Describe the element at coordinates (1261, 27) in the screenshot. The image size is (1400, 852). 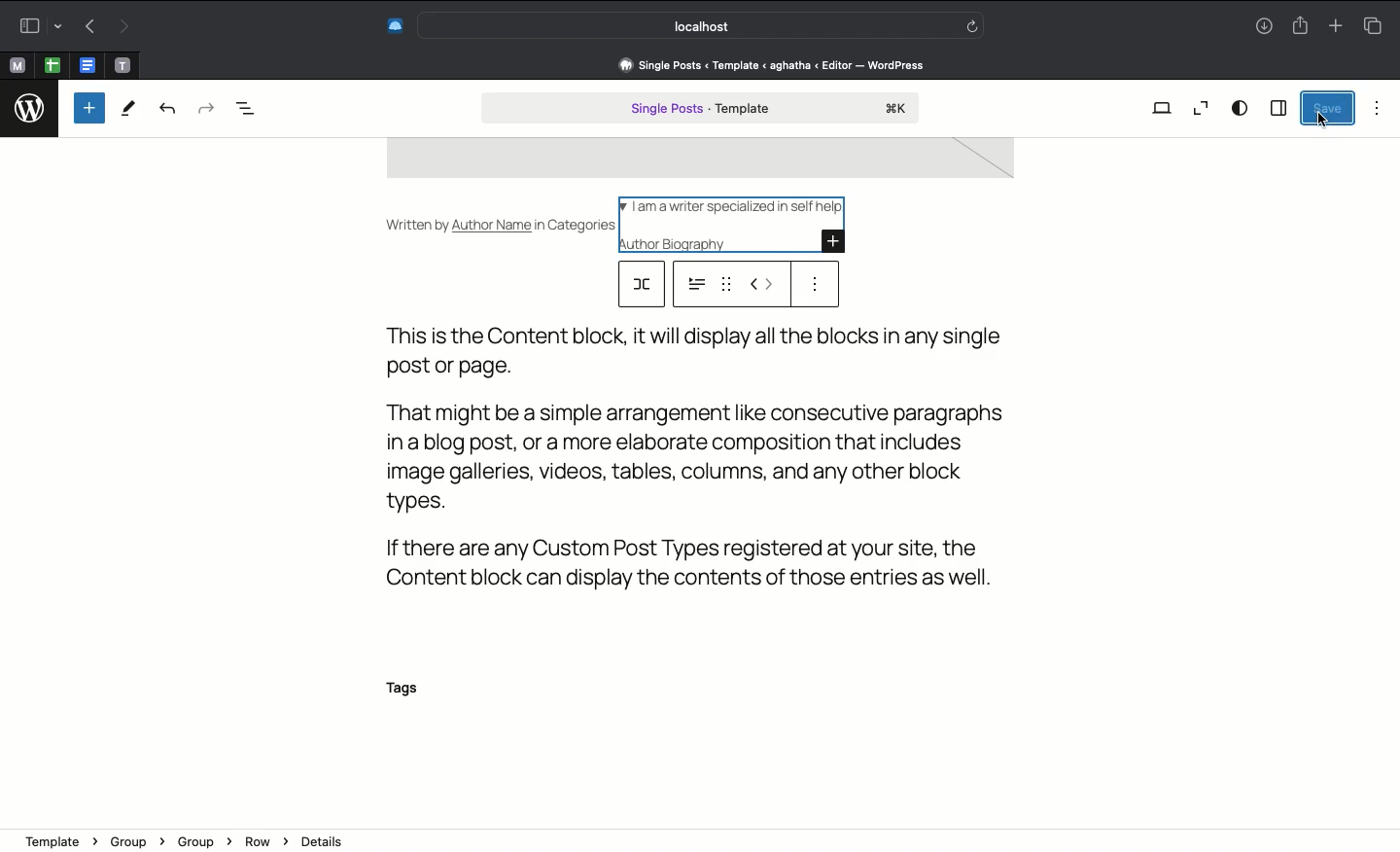
I see `Download` at that location.